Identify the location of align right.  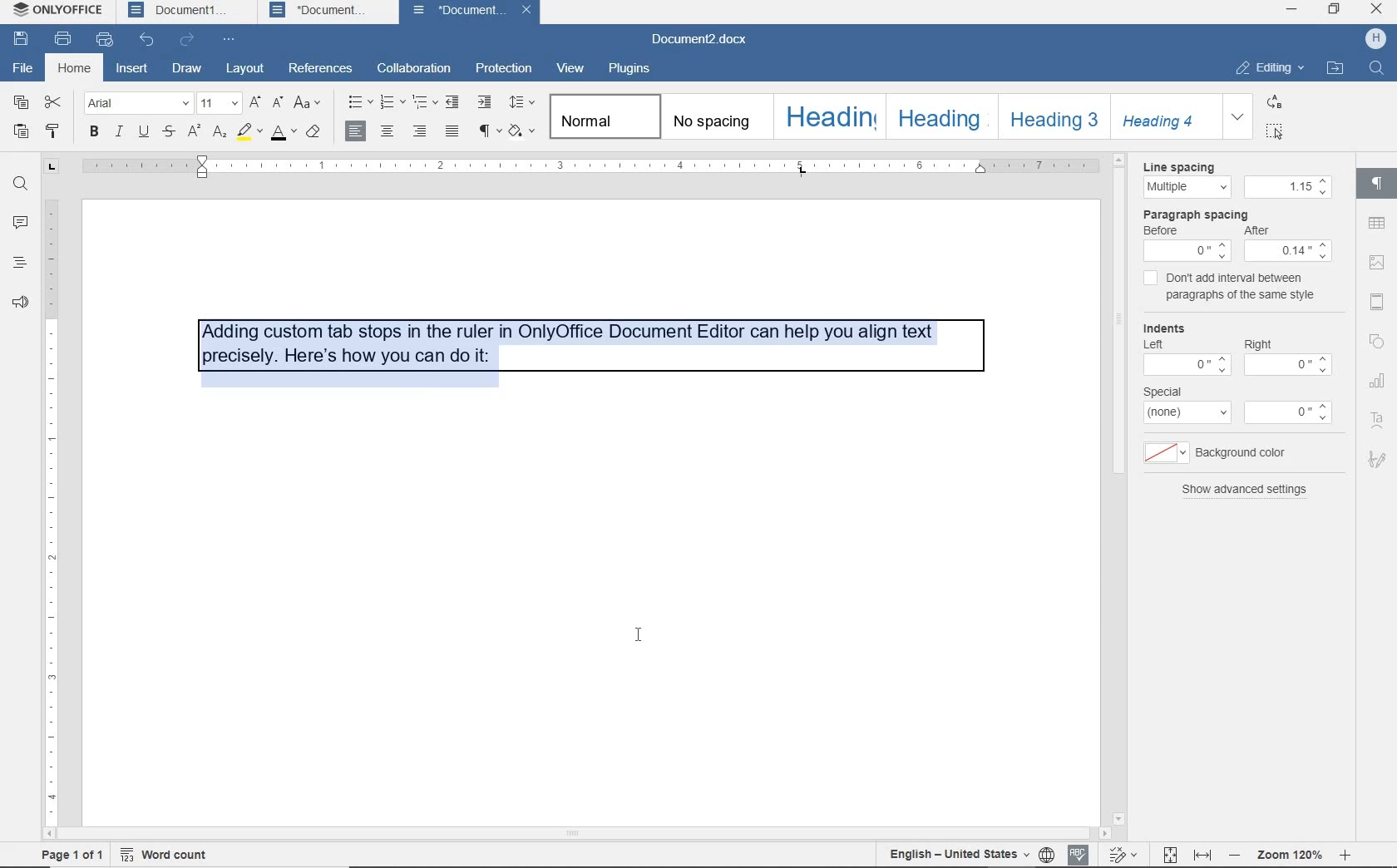
(420, 131).